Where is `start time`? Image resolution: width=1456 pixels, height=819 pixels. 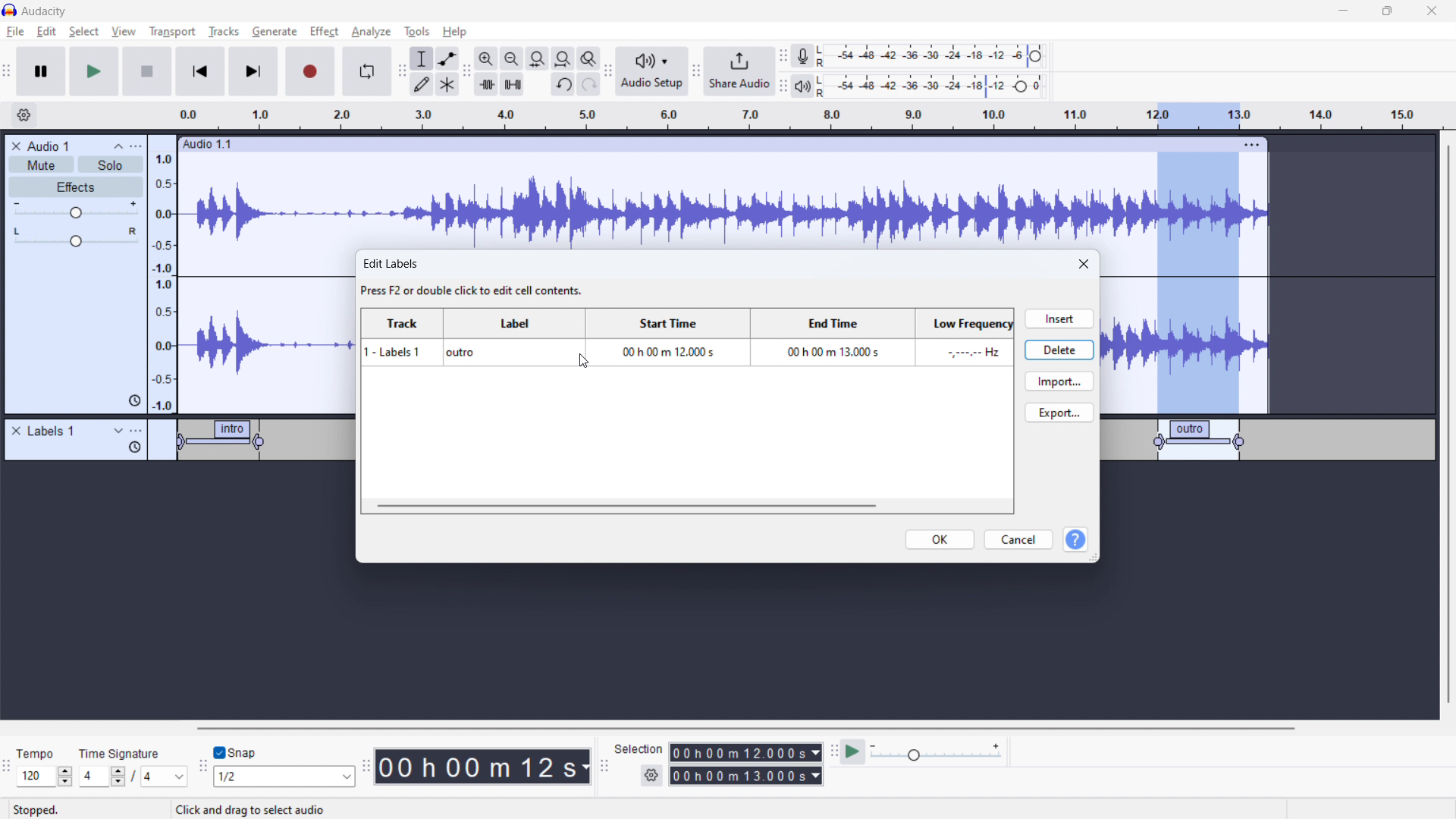
start time is located at coordinates (667, 337).